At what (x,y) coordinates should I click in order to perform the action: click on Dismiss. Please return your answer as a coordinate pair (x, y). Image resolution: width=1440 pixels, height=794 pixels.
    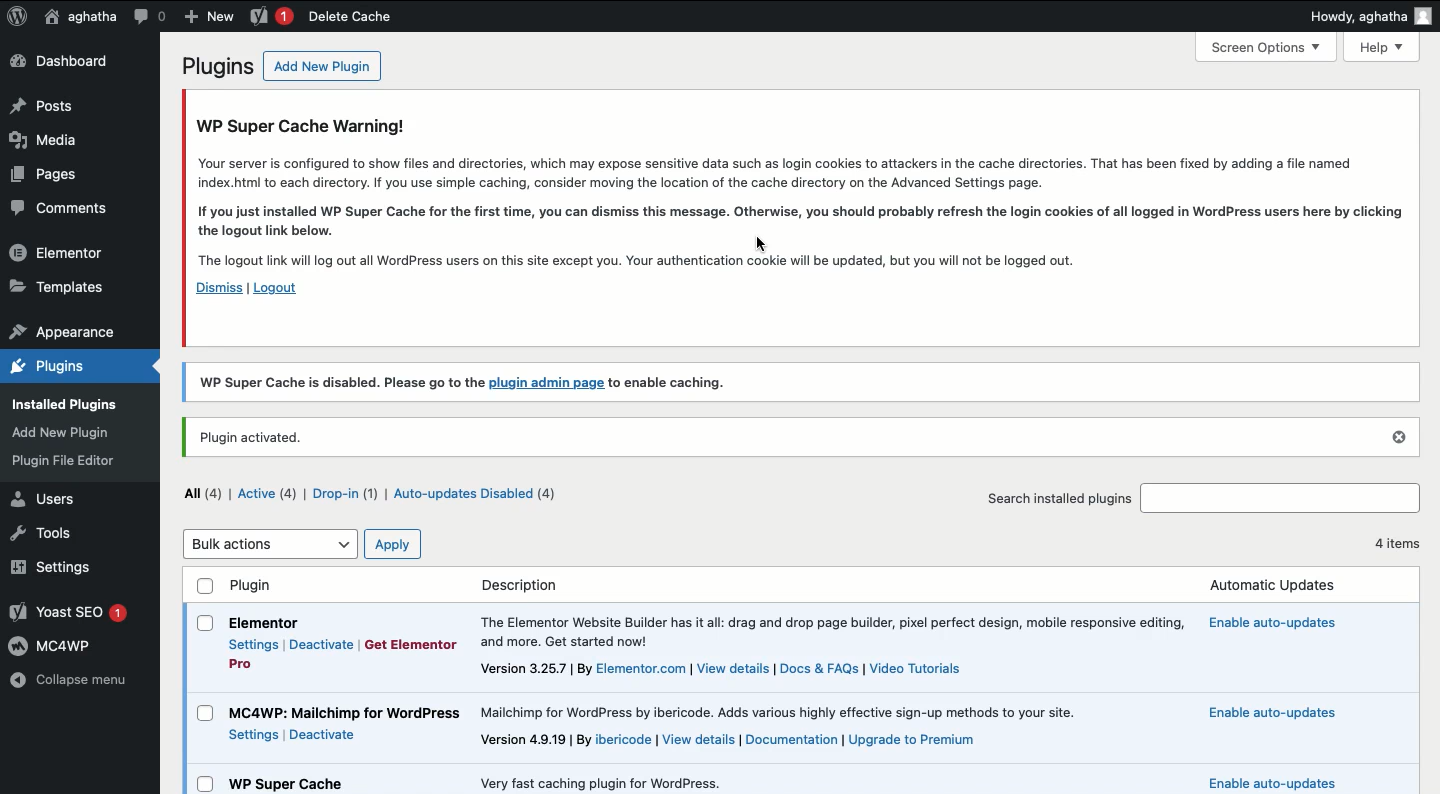
    Looking at the image, I should click on (216, 289).